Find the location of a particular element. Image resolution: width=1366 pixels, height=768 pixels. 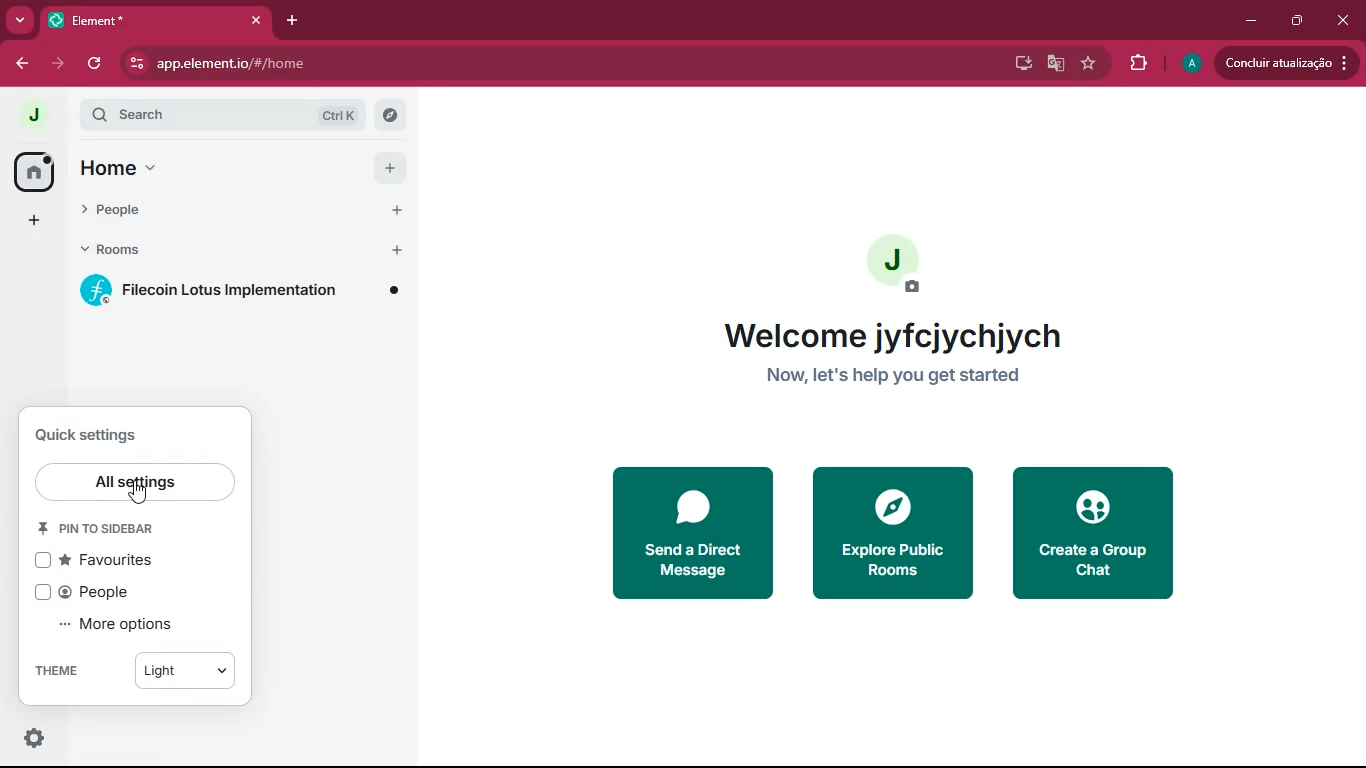

home is located at coordinates (32, 172).